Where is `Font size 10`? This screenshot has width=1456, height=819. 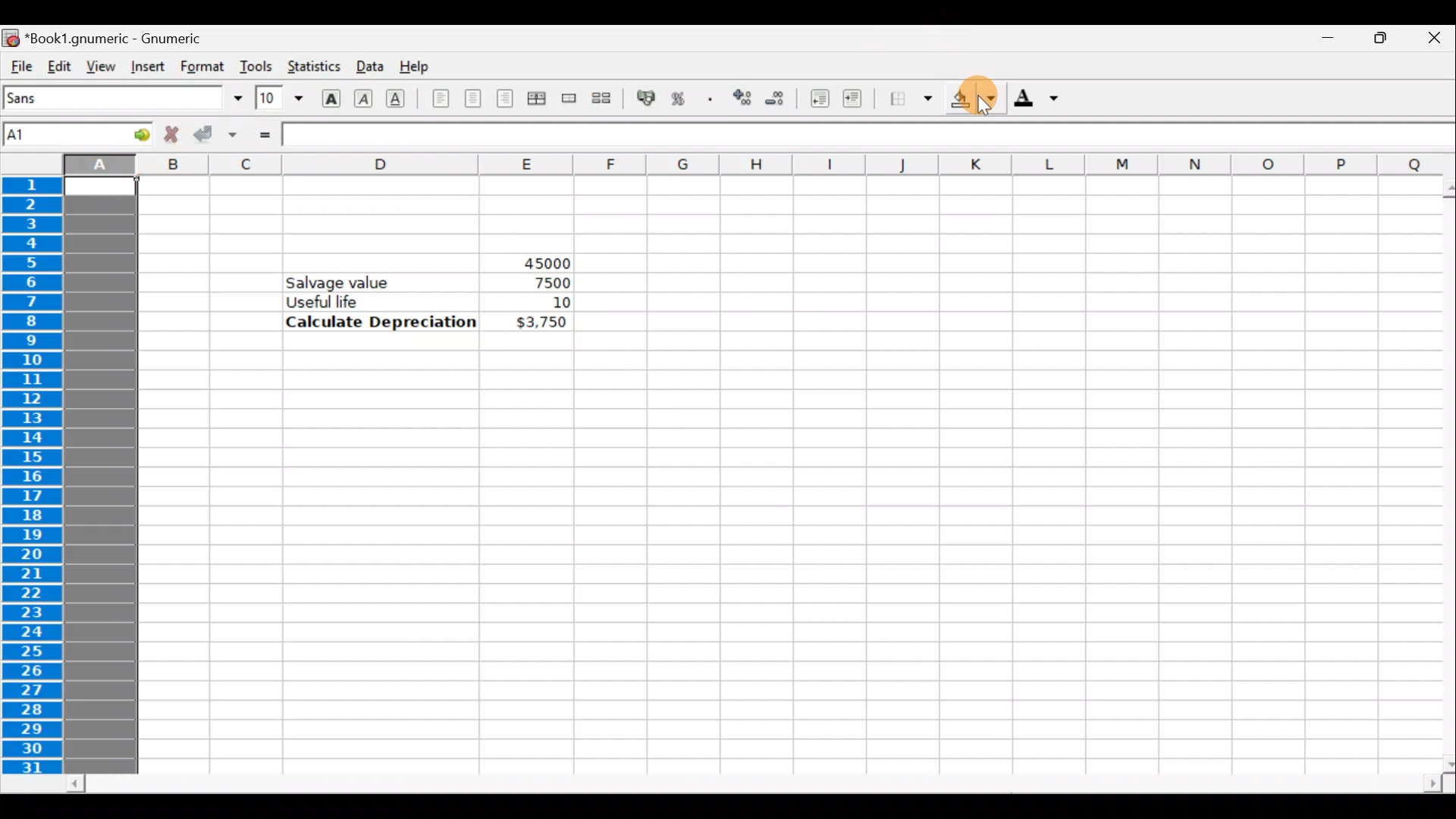 Font size 10 is located at coordinates (275, 99).